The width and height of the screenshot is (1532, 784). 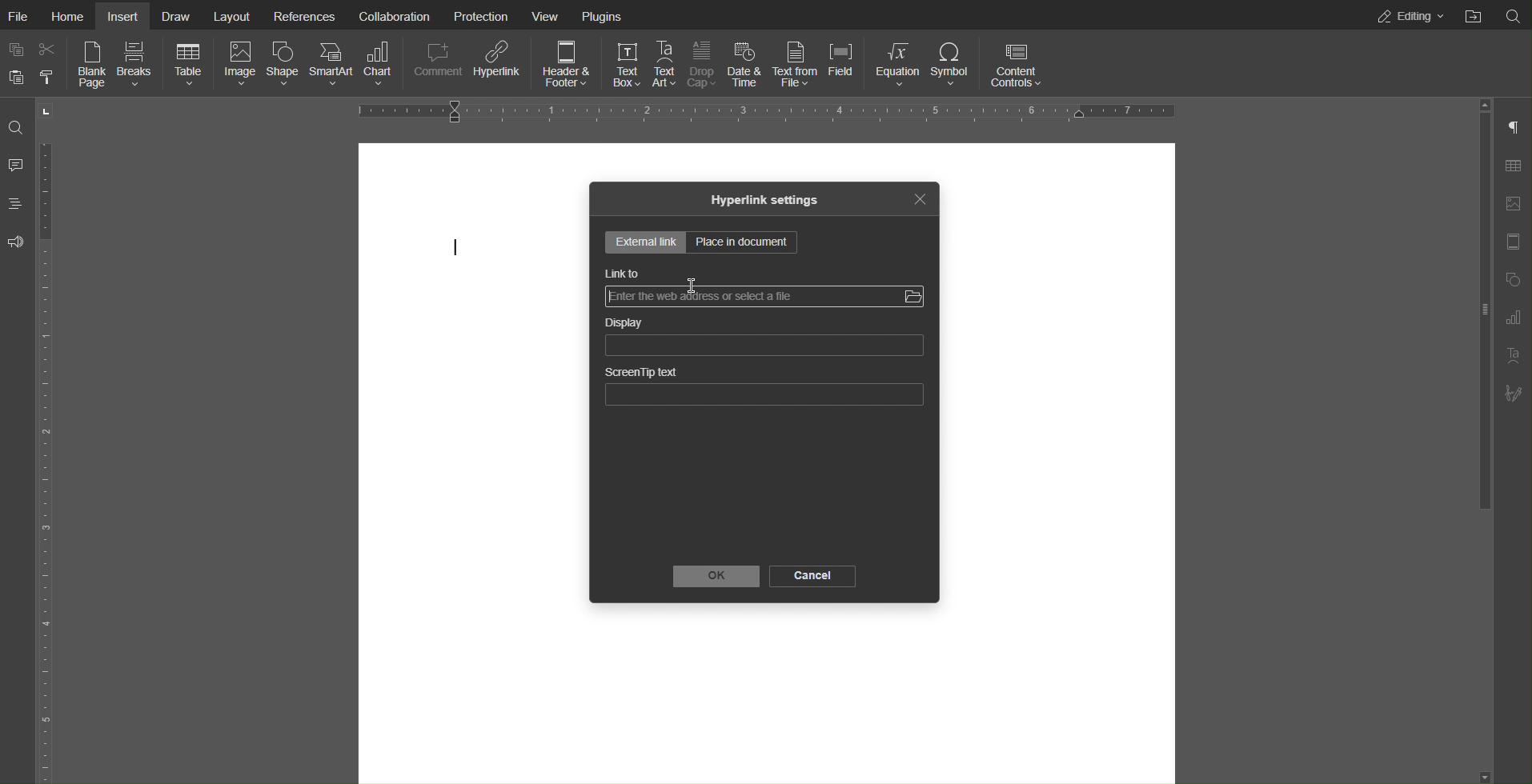 What do you see at coordinates (812, 576) in the screenshot?
I see `Cancel` at bounding box center [812, 576].